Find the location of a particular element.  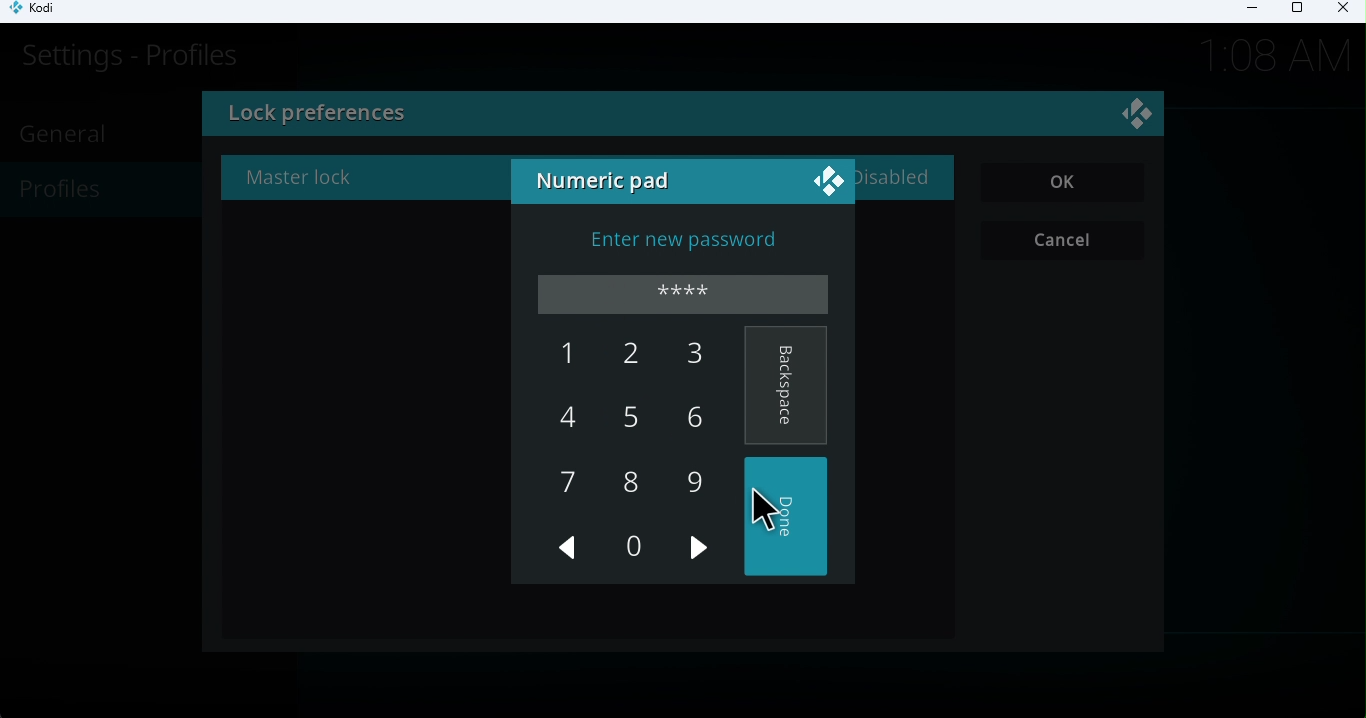

2 is located at coordinates (629, 362).